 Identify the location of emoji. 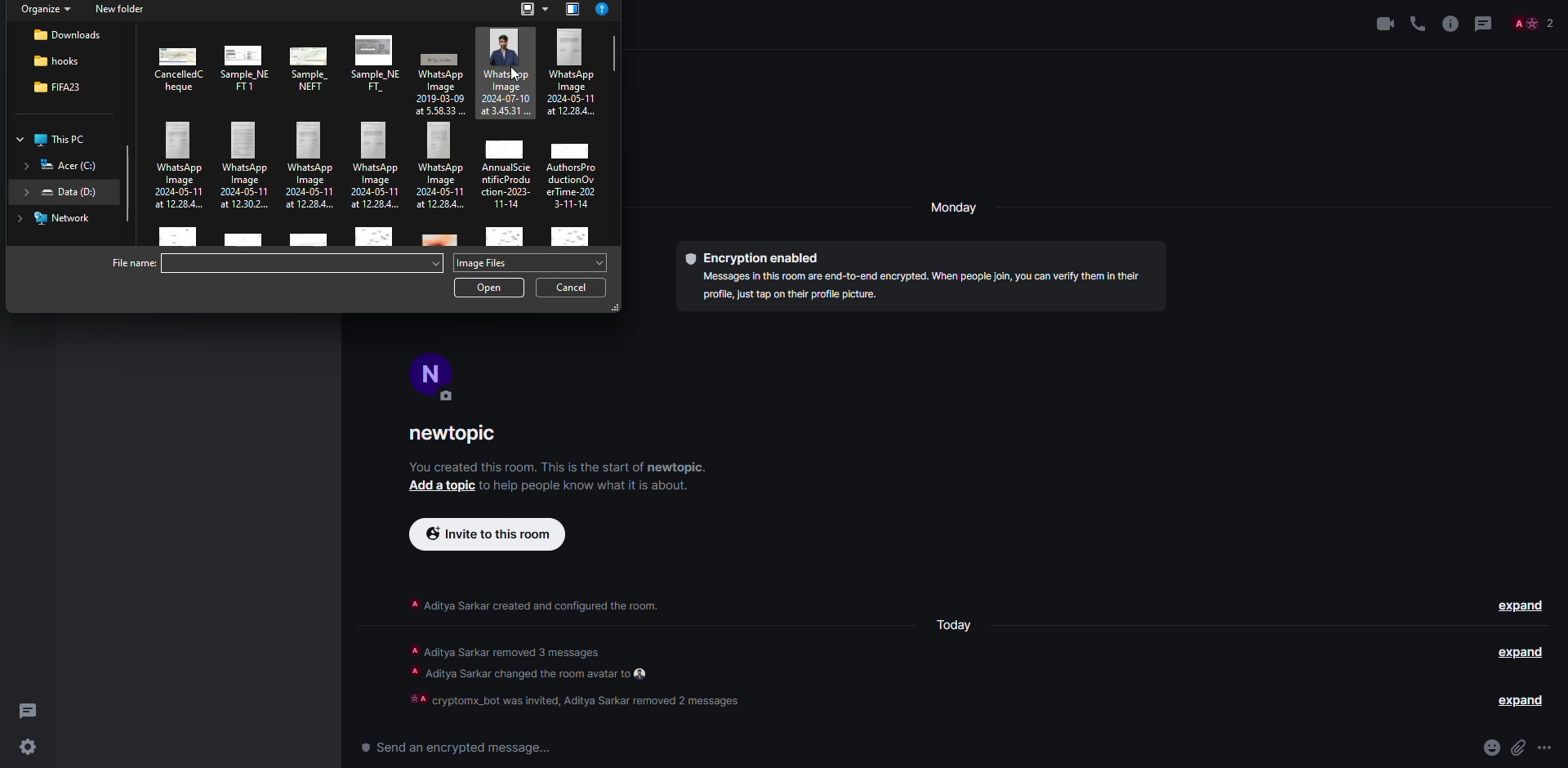
(1492, 748).